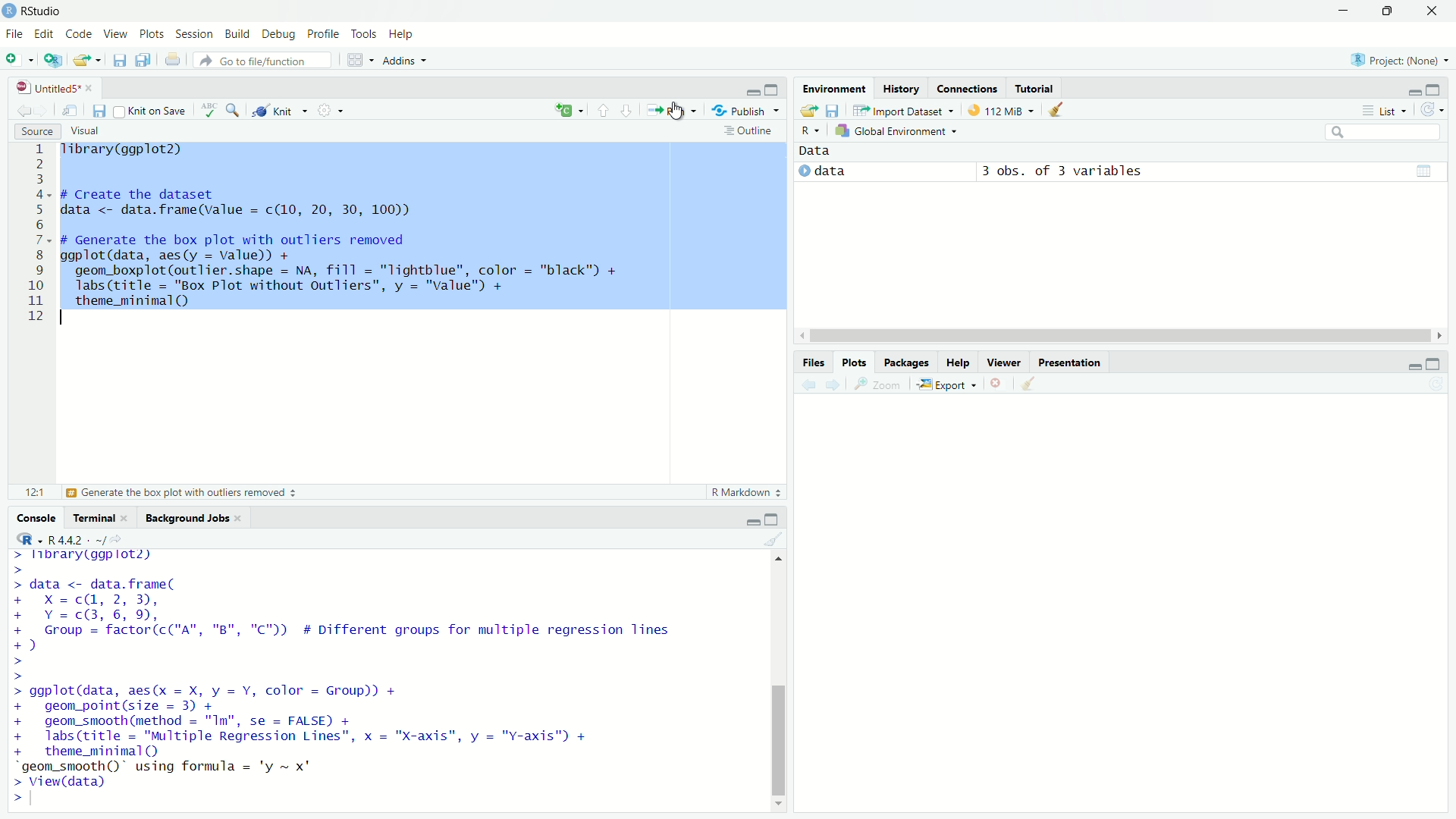  What do you see at coordinates (182, 494) in the screenshot?
I see `| Generate the box plot with outliers removed +` at bounding box center [182, 494].